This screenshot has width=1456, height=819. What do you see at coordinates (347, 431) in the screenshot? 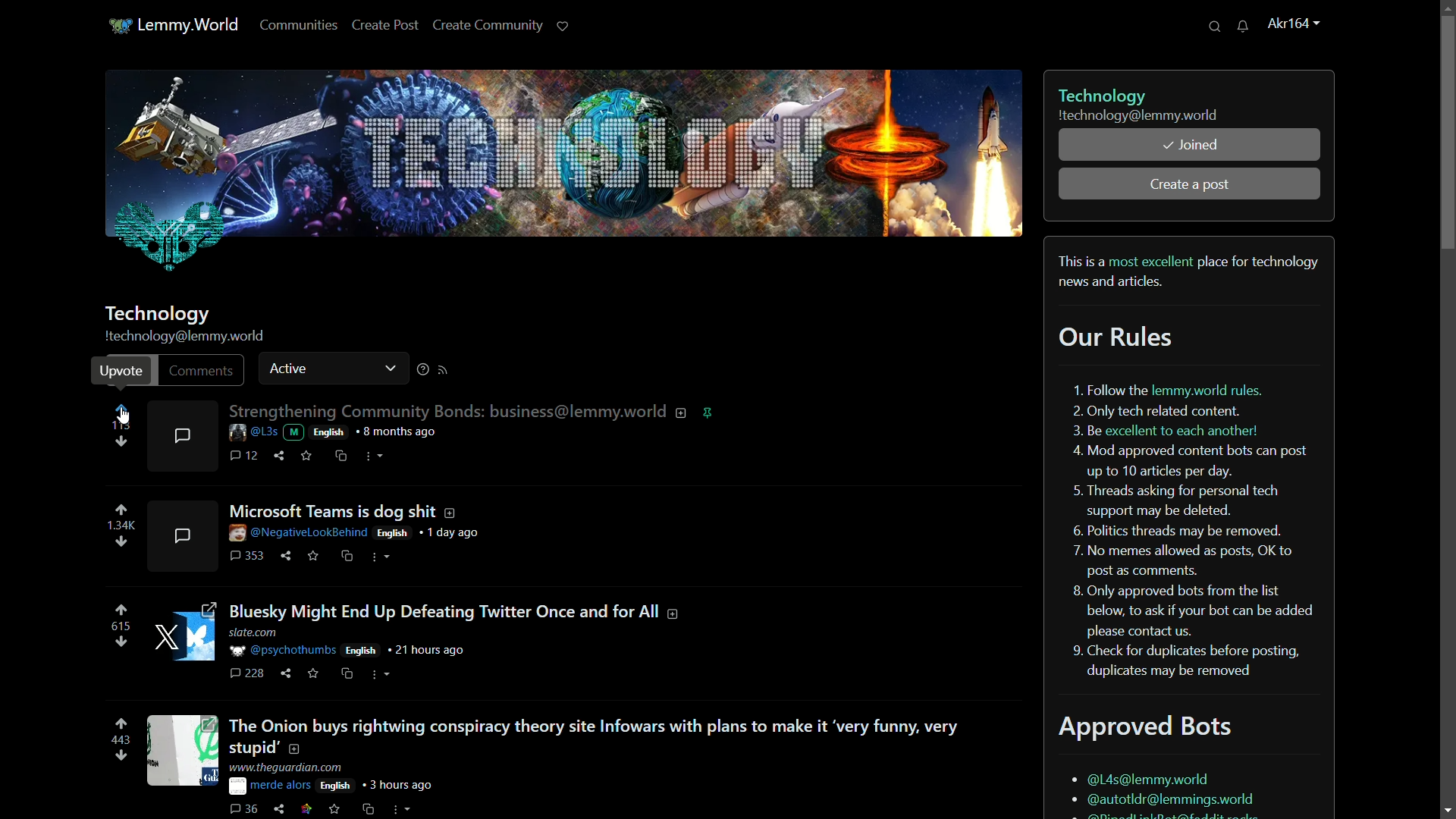
I see `post details` at bounding box center [347, 431].